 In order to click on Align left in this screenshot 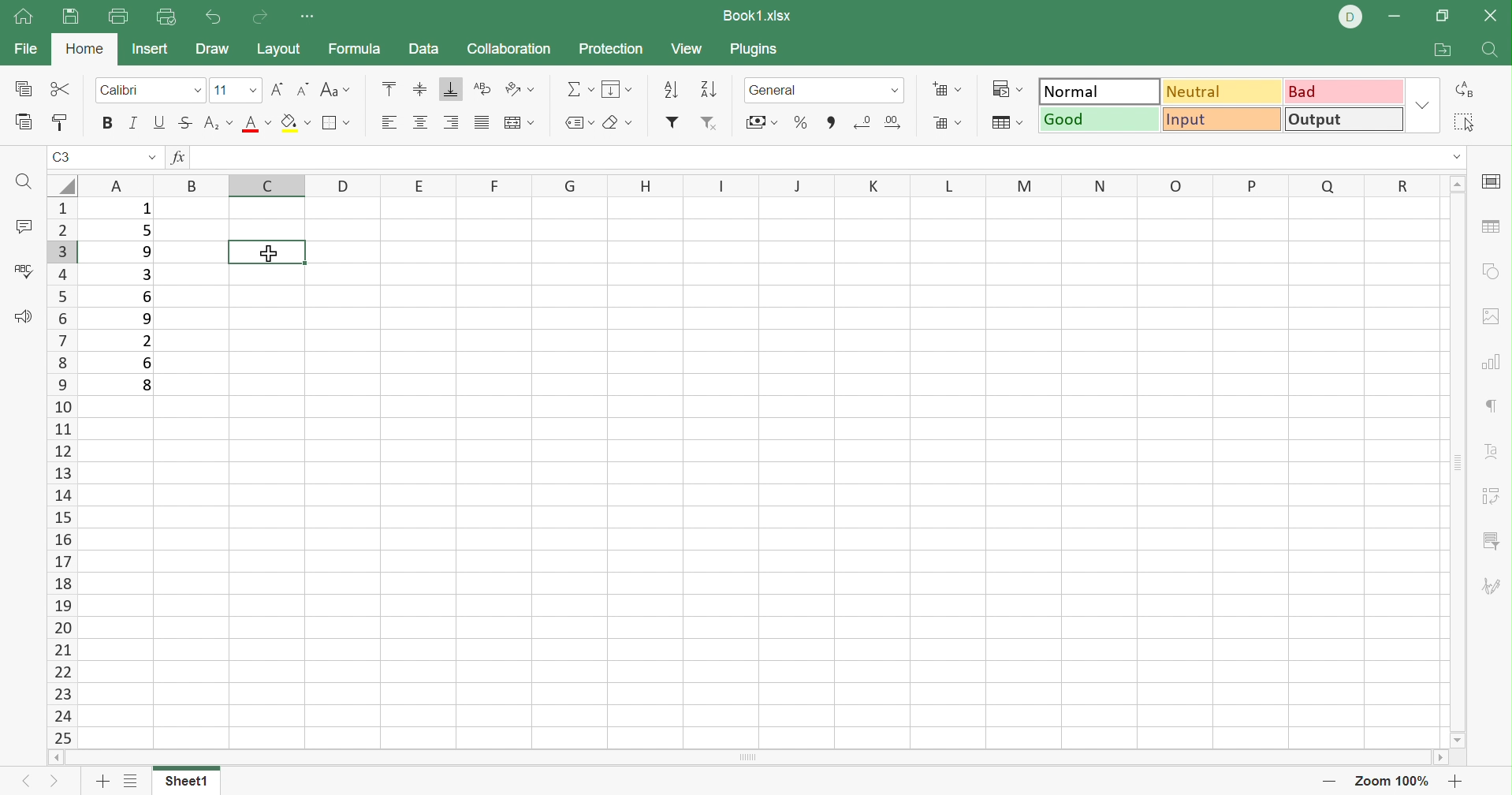, I will do `click(391, 120)`.